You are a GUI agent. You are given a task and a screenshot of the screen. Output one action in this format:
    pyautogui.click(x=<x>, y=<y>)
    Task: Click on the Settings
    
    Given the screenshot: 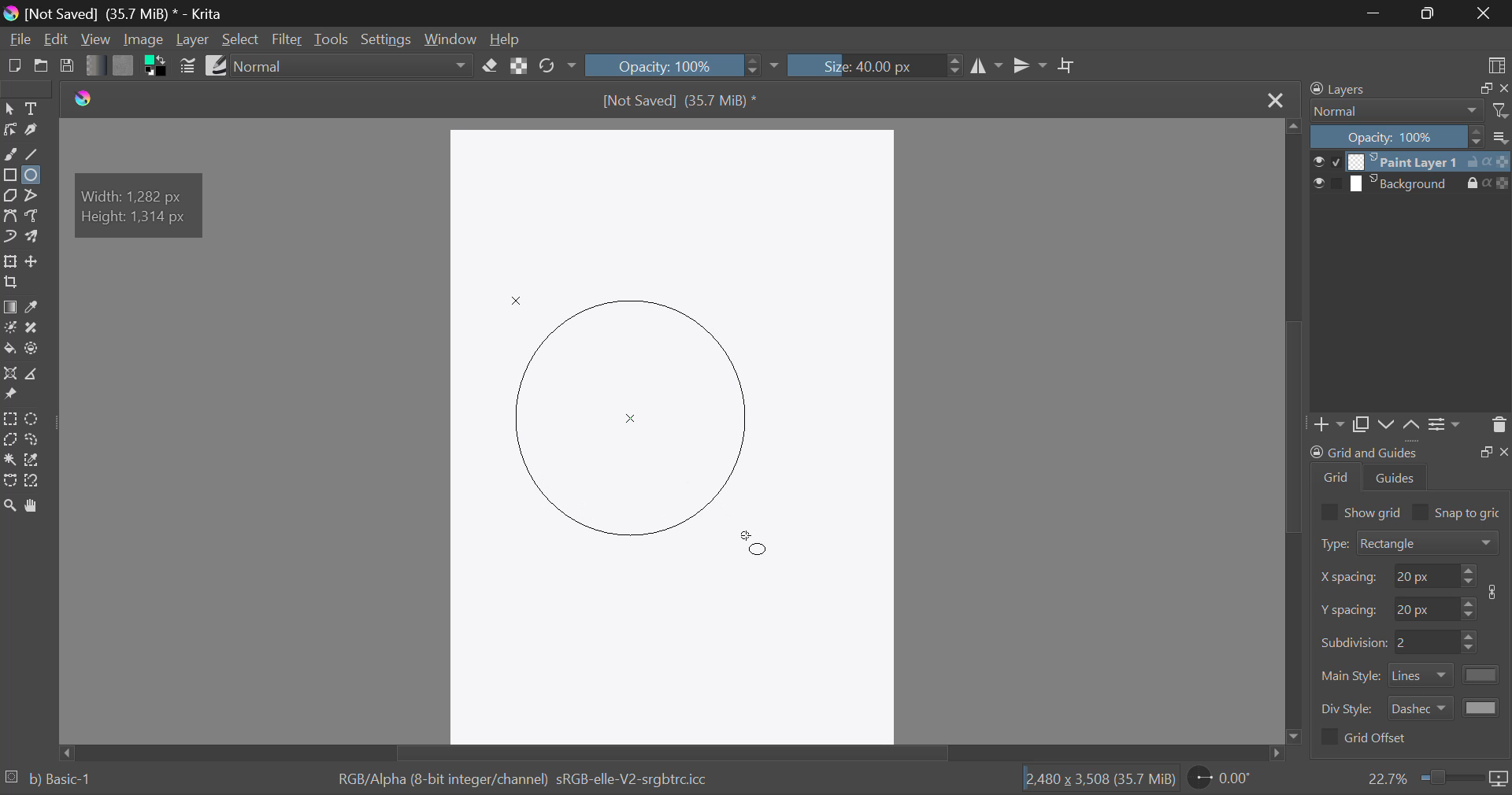 What is the action you would take?
    pyautogui.click(x=384, y=39)
    